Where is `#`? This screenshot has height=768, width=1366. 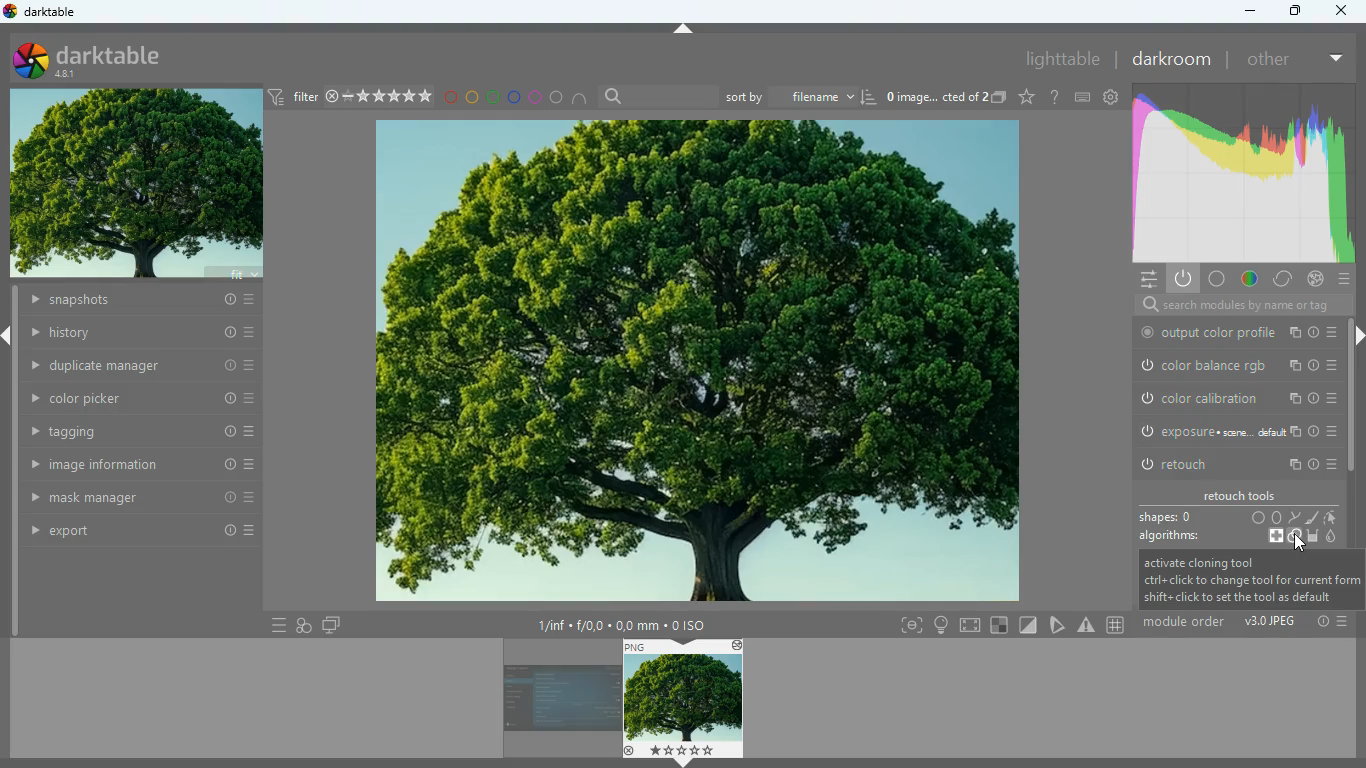
# is located at coordinates (1118, 625).